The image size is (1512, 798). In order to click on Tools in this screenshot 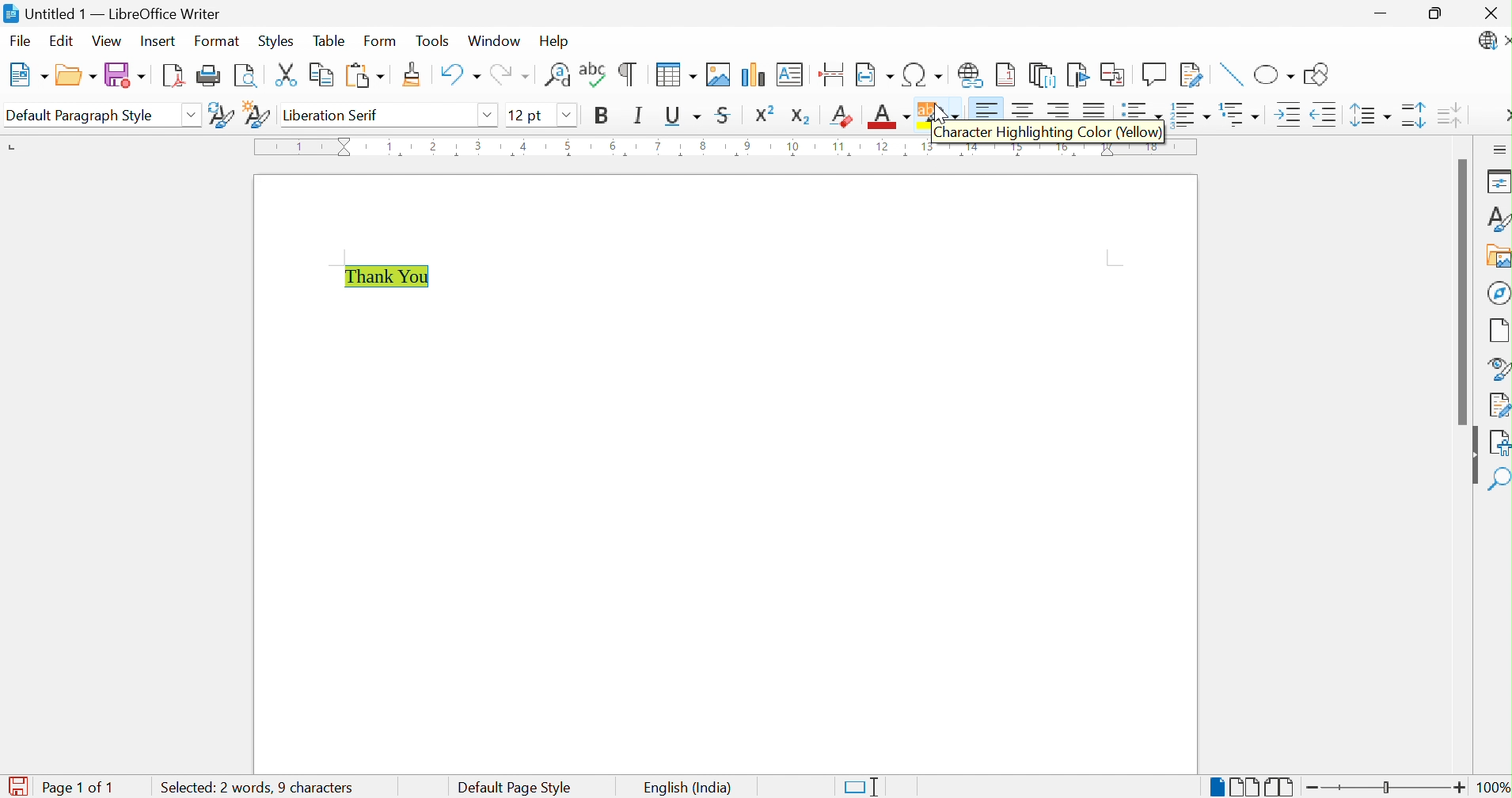, I will do `click(433, 42)`.